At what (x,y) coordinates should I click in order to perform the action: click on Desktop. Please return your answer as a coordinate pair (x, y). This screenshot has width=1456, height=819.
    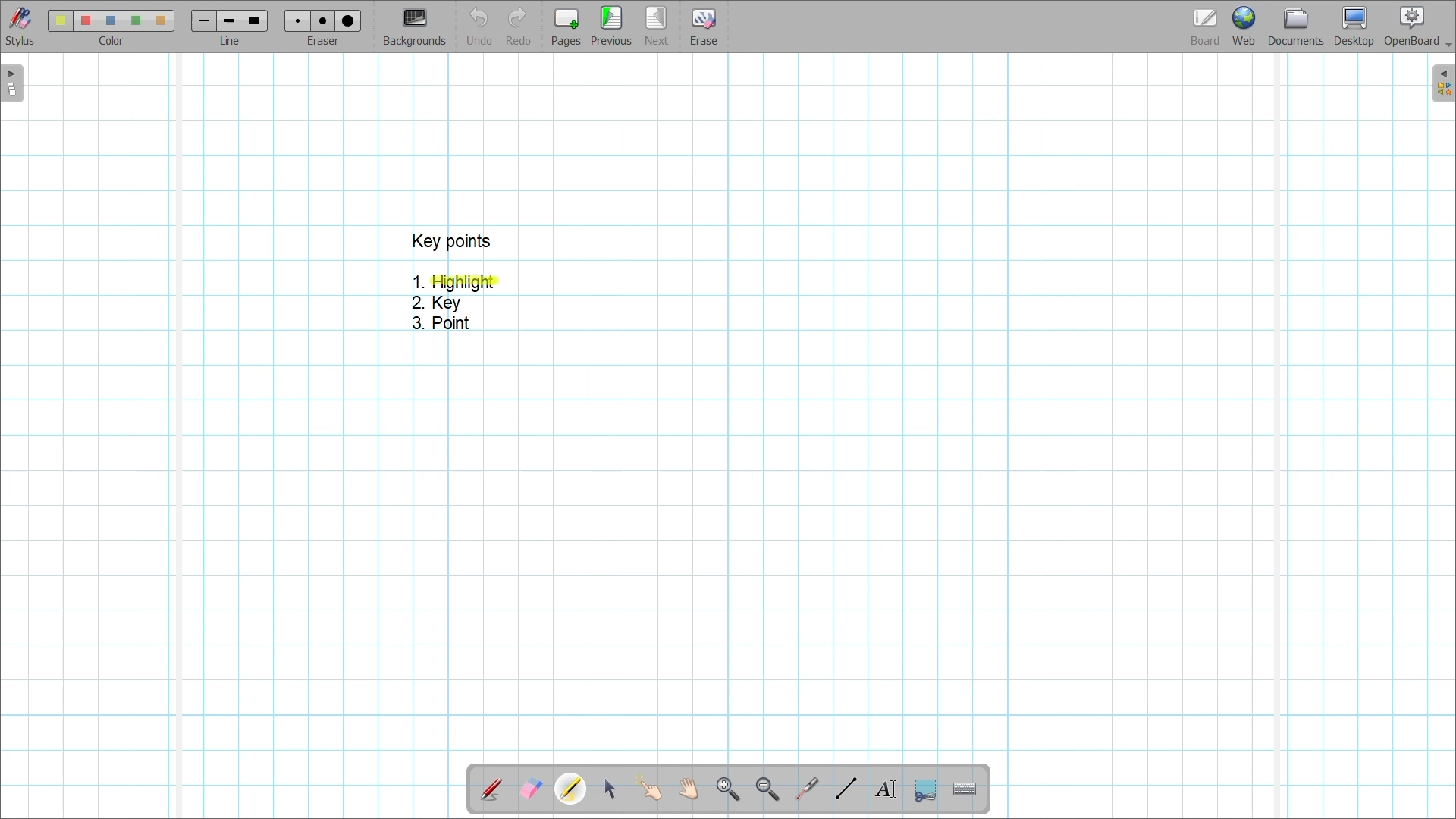
    Looking at the image, I should click on (1354, 27).